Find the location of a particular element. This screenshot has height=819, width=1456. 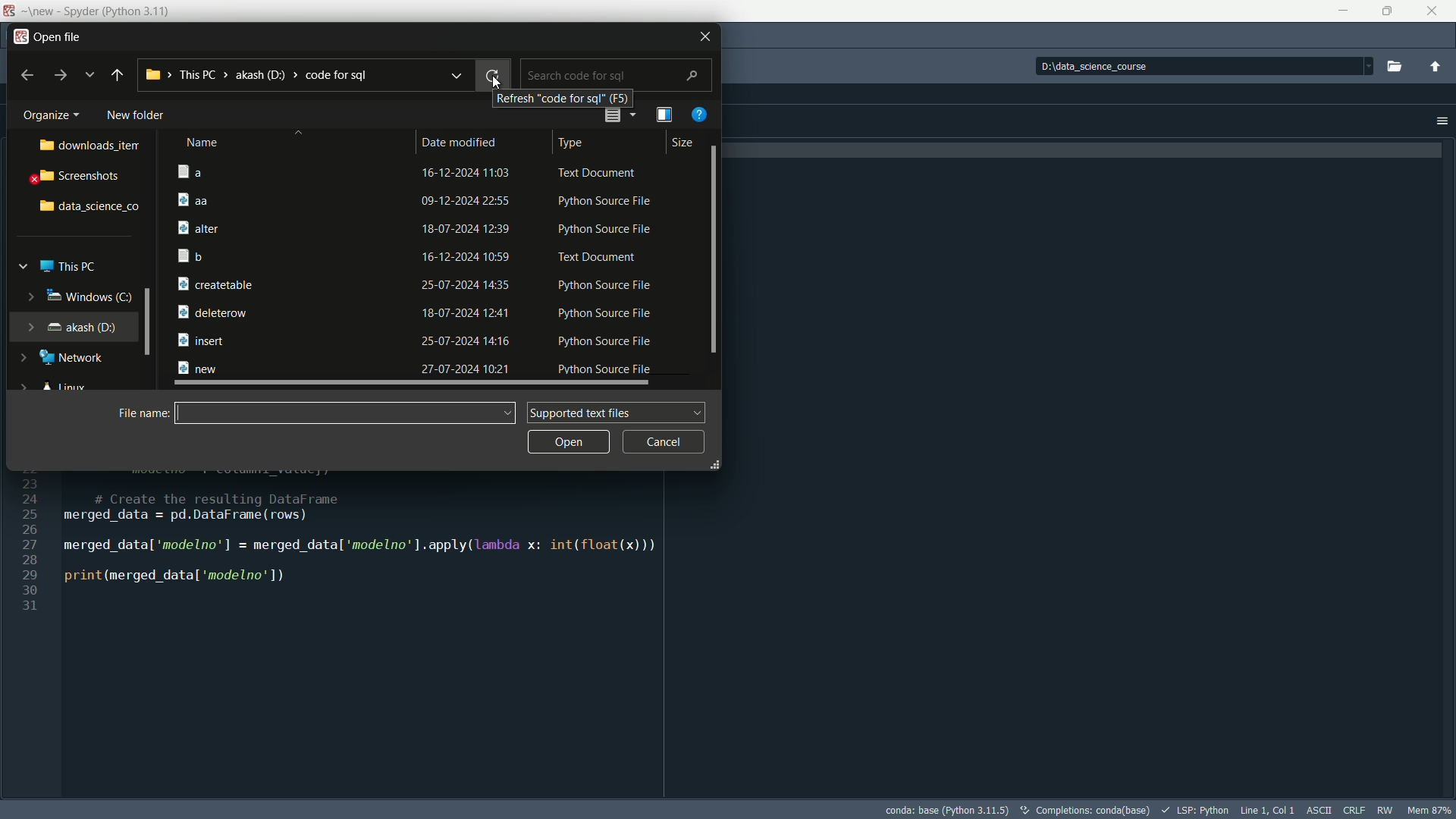

file eol status is located at coordinates (1355, 809).